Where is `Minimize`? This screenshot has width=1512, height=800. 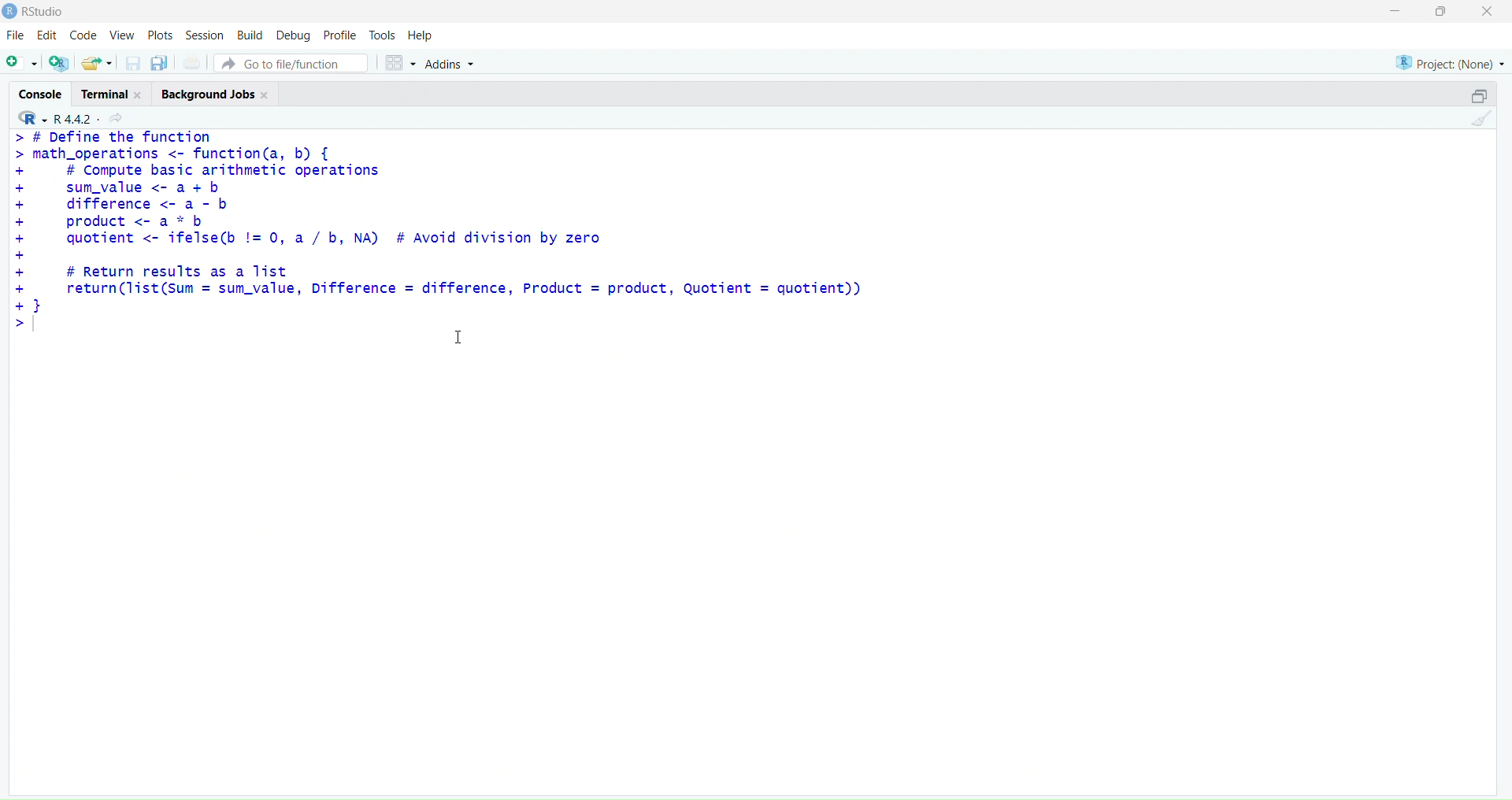 Minimize is located at coordinates (1396, 9).